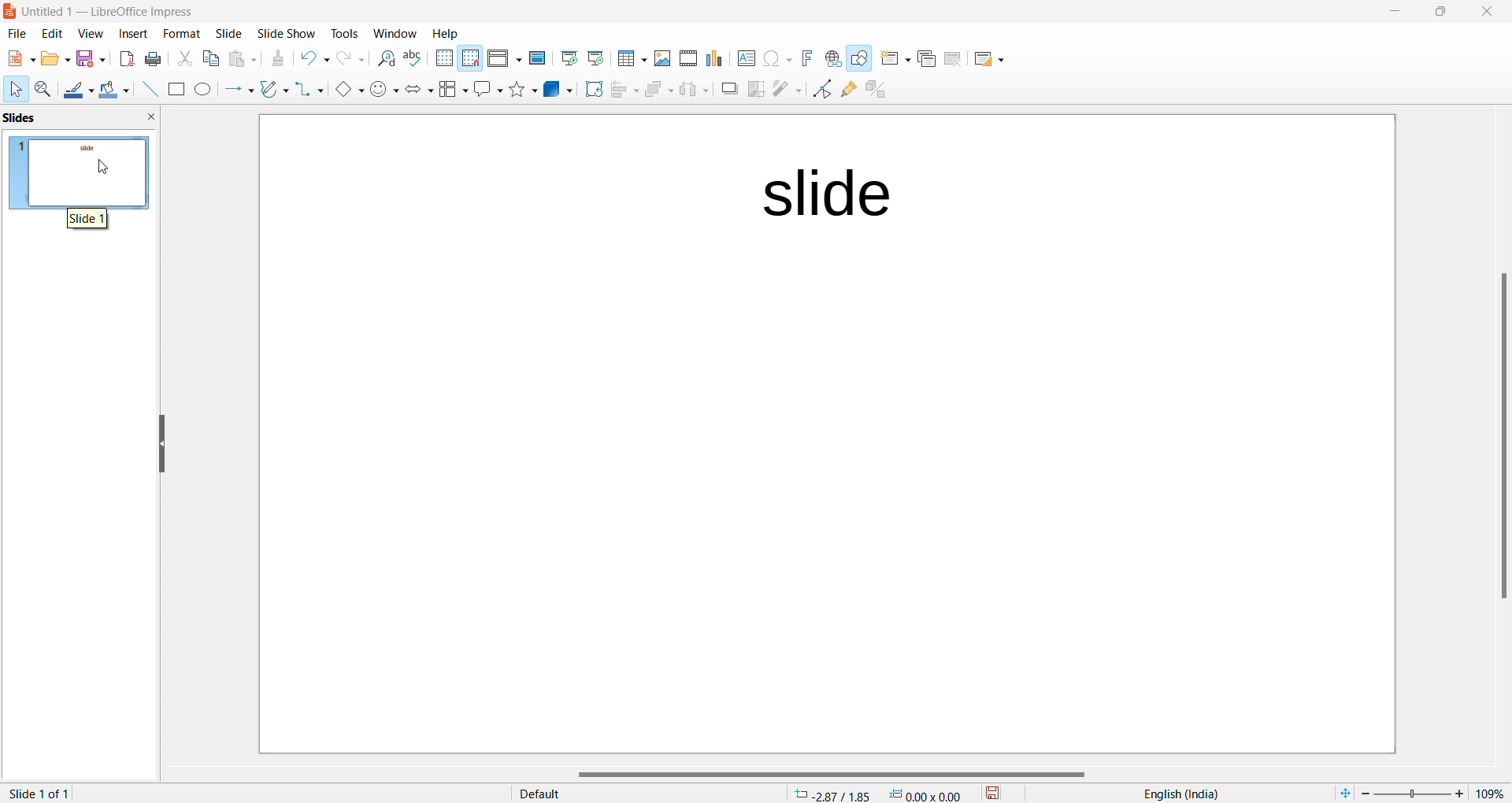 Image resolution: width=1512 pixels, height=803 pixels. What do you see at coordinates (154, 118) in the screenshot?
I see `close slide preview pane` at bounding box center [154, 118].